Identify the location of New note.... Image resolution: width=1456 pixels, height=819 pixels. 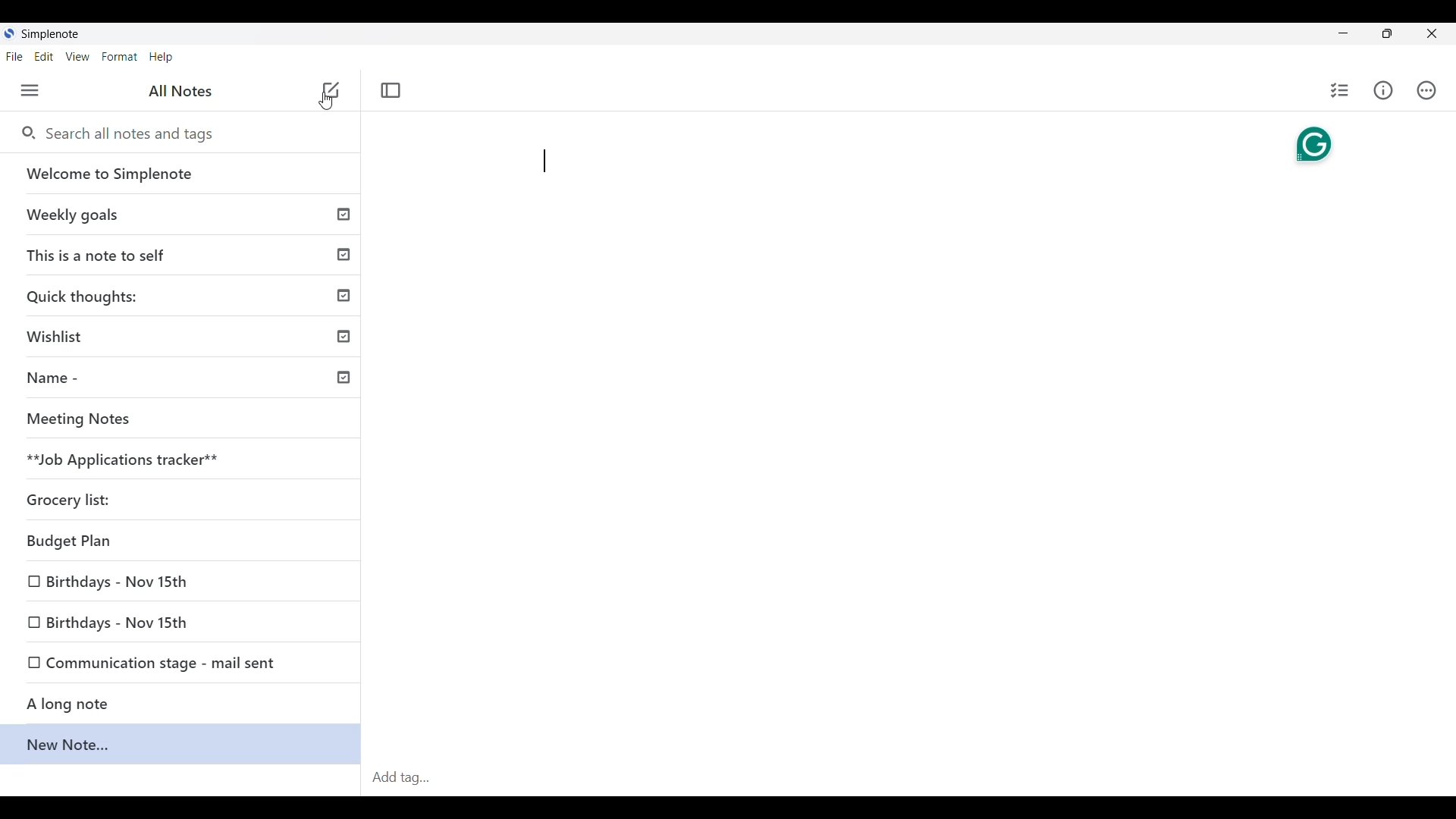
(180, 744).